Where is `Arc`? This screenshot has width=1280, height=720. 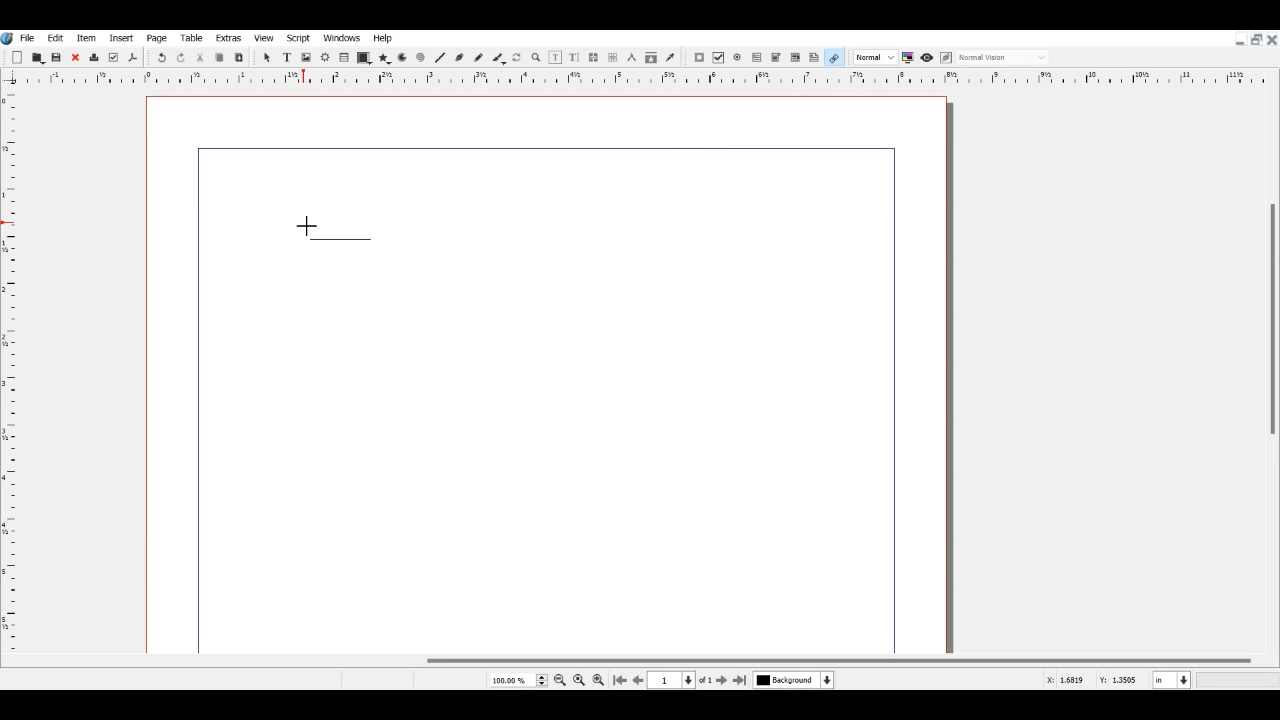
Arc is located at coordinates (402, 59).